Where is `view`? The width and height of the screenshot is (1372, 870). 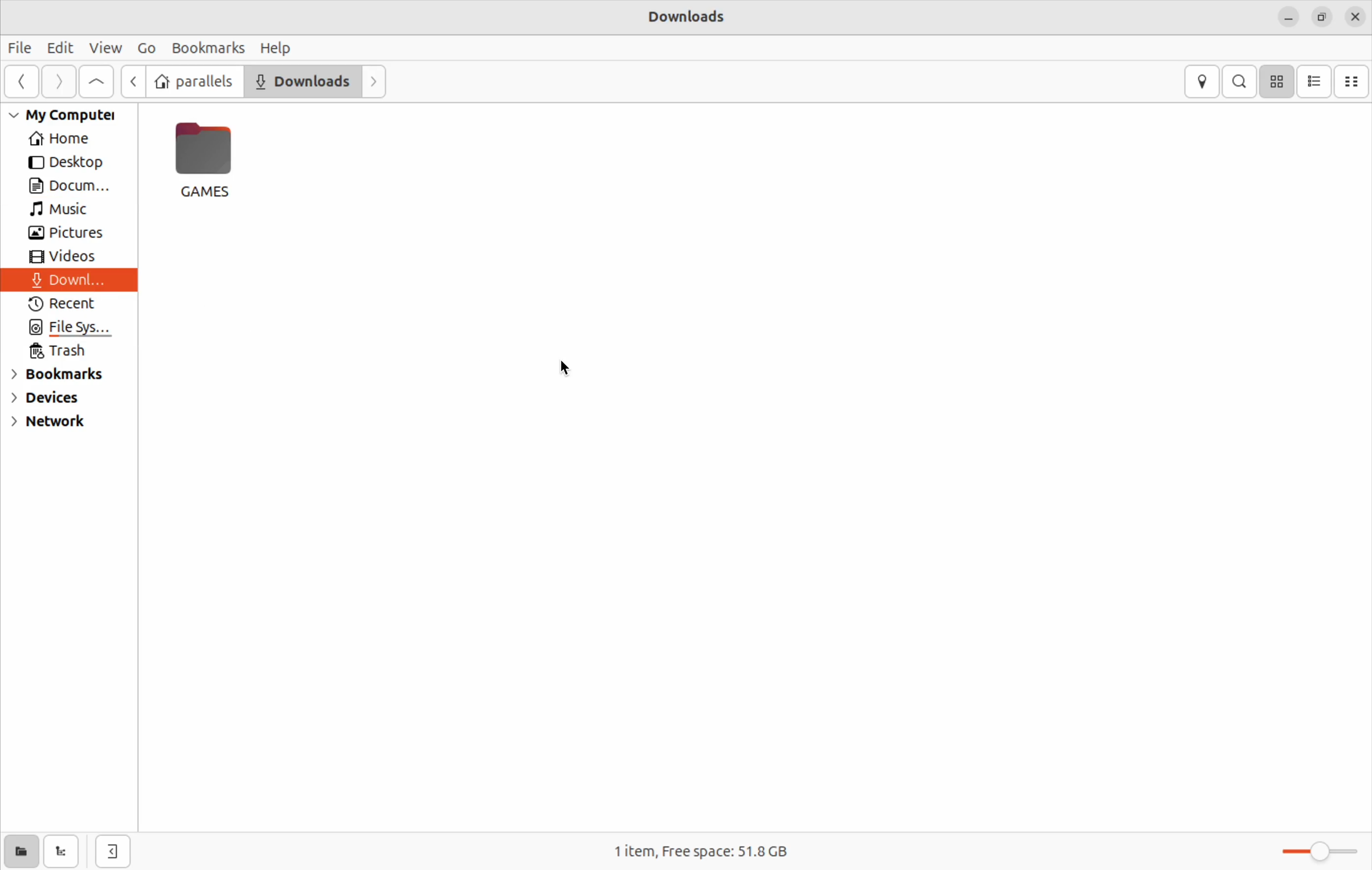
view is located at coordinates (104, 47).